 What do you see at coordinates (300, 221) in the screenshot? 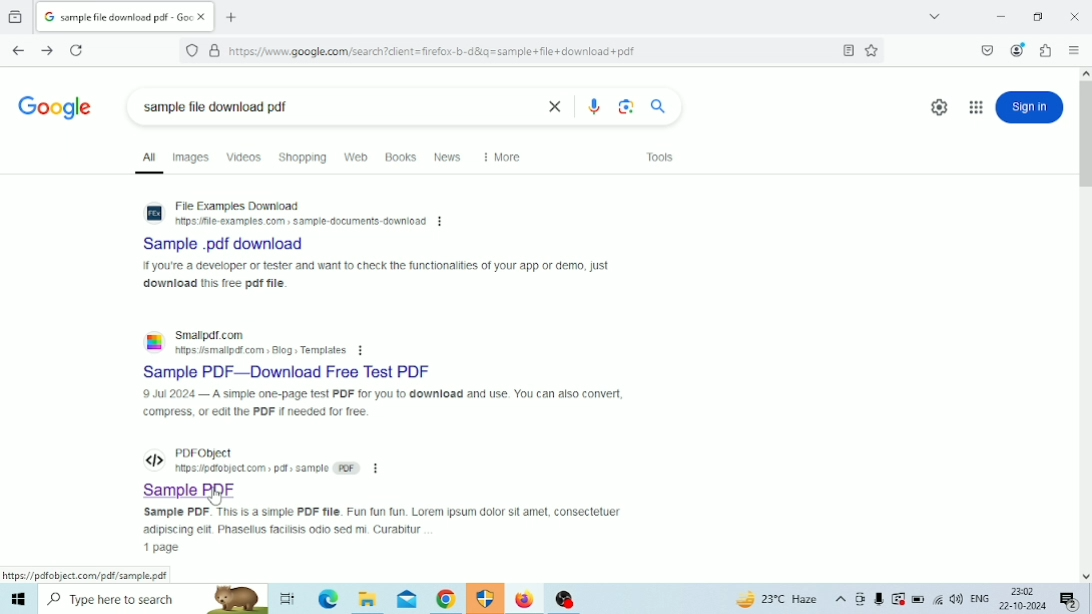
I see `link to website` at bounding box center [300, 221].